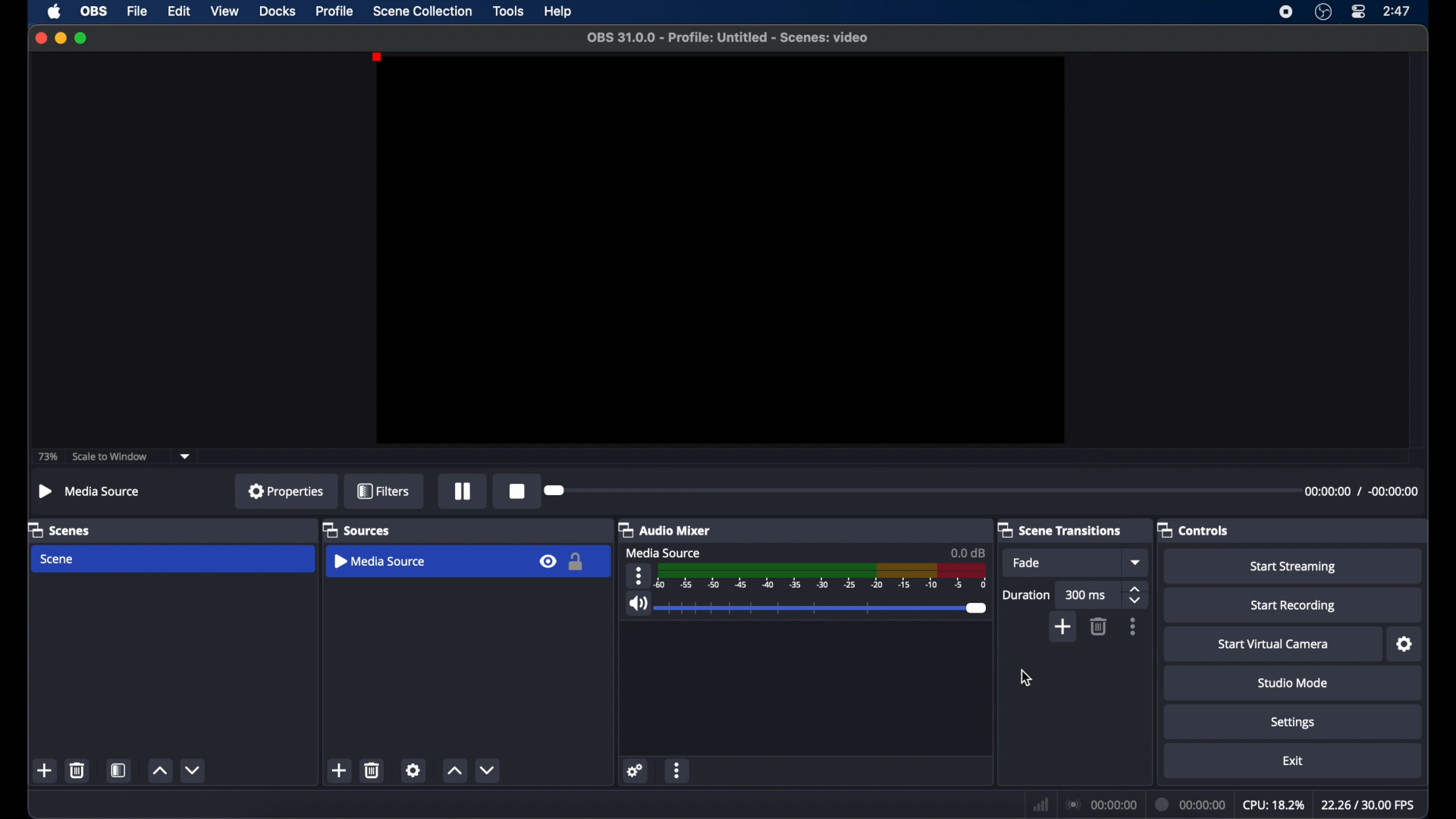 This screenshot has height=819, width=1456. Describe the element at coordinates (89, 491) in the screenshot. I see `no source selected` at that location.